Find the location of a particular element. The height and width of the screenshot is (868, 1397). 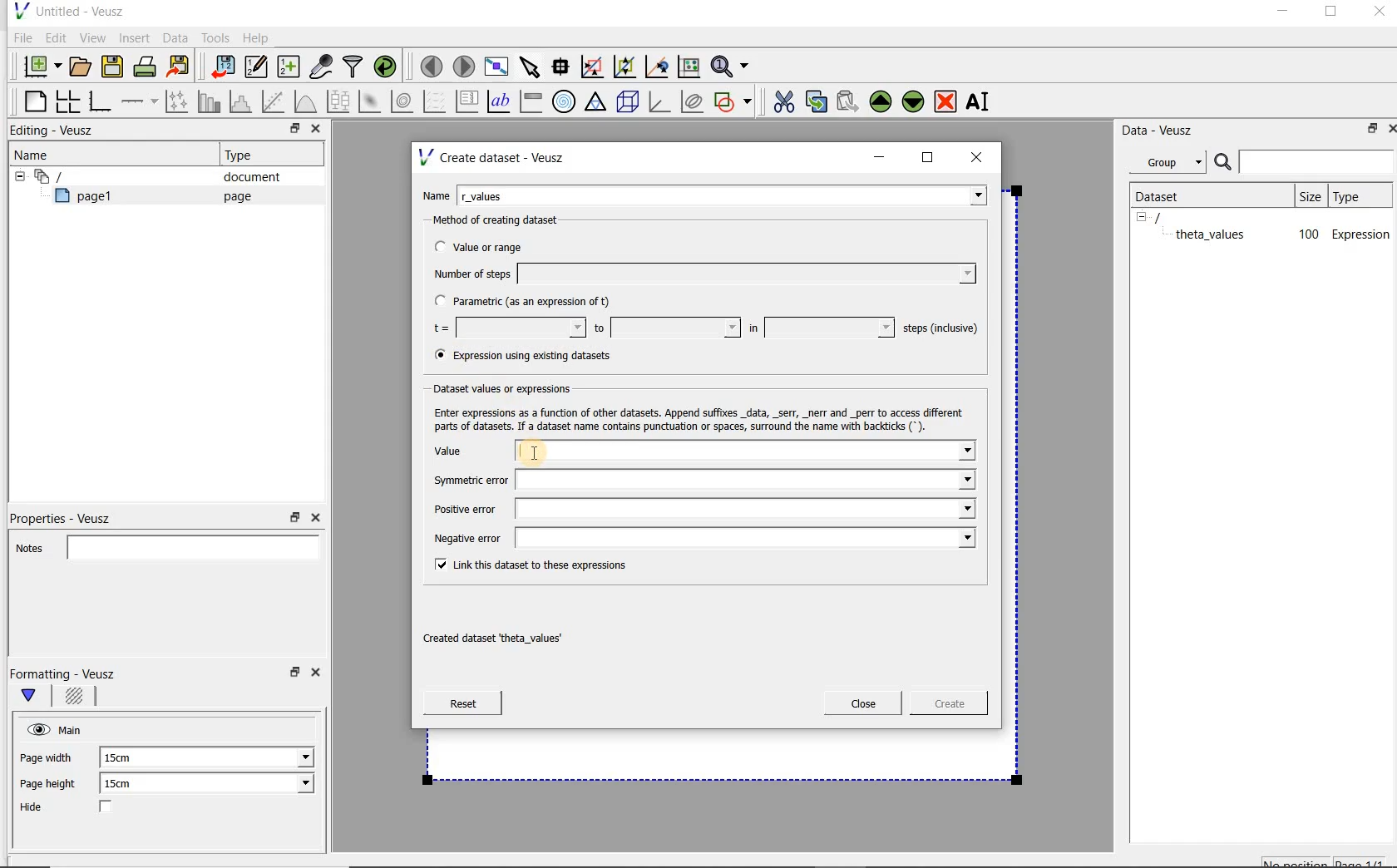

Help is located at coordinates (258, 37).